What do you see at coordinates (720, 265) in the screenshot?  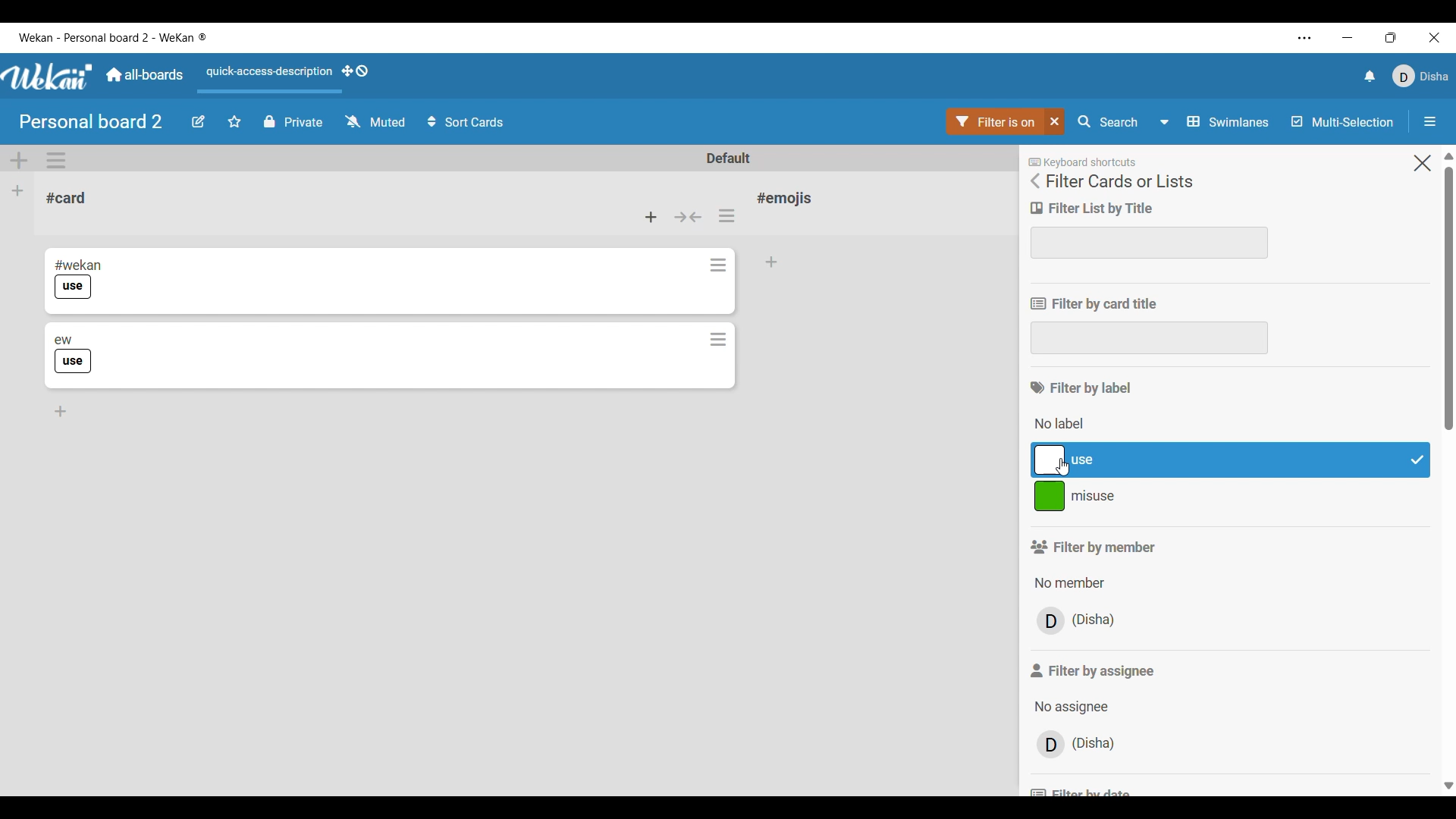 I see `Card actions for respective card` at bounding box center [720, 265].